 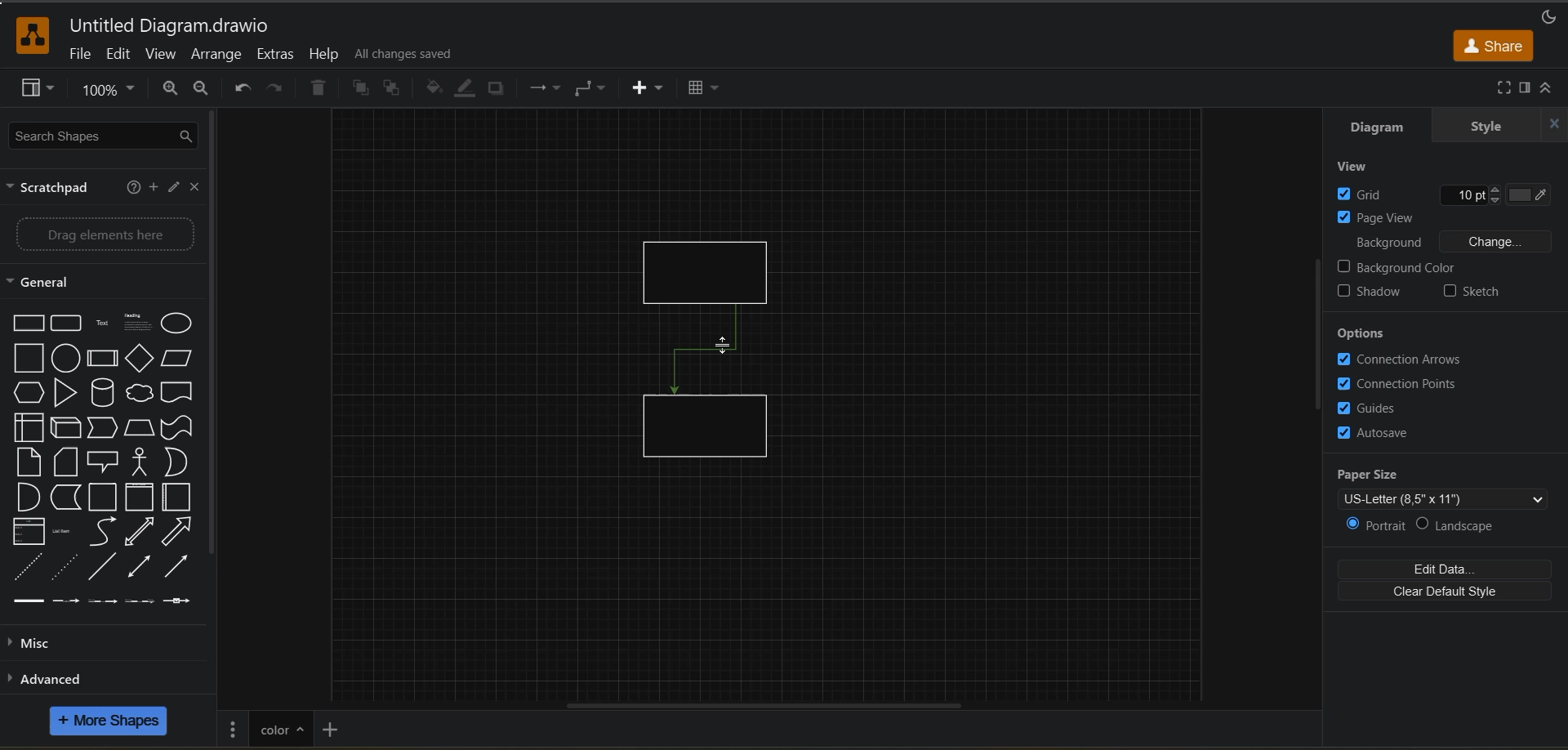 What do you see at coordinates (153, 186) in the screenshot?
I see `add` at bounding box center [153, 186].